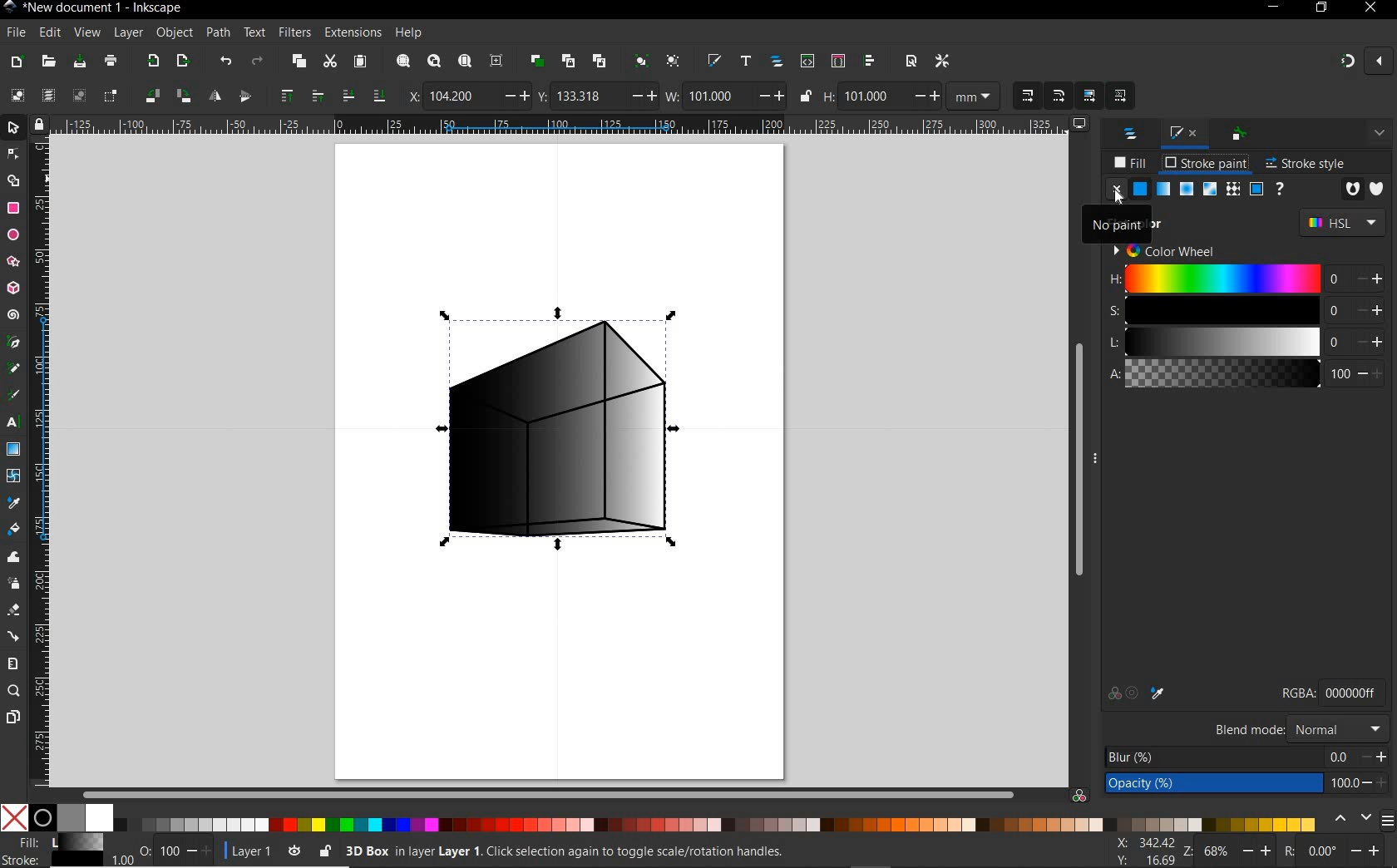  What do you see at coordinates (1337, 341) in the screenshot?
I see `0` at bounding box center [1337, 341].